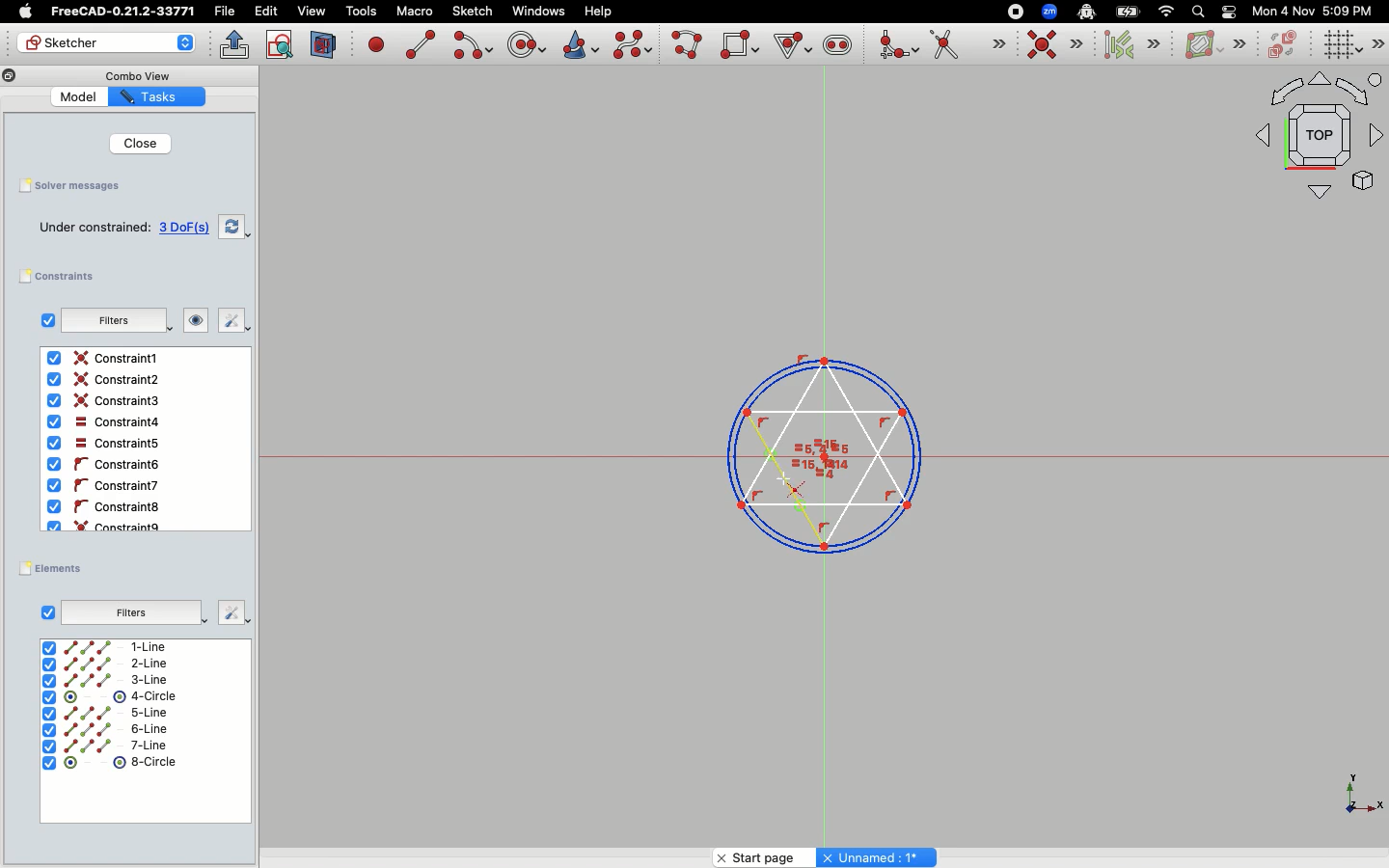  Describe the element at coordinates (106, 746) in the screenshot. I see `7-line` at that location.